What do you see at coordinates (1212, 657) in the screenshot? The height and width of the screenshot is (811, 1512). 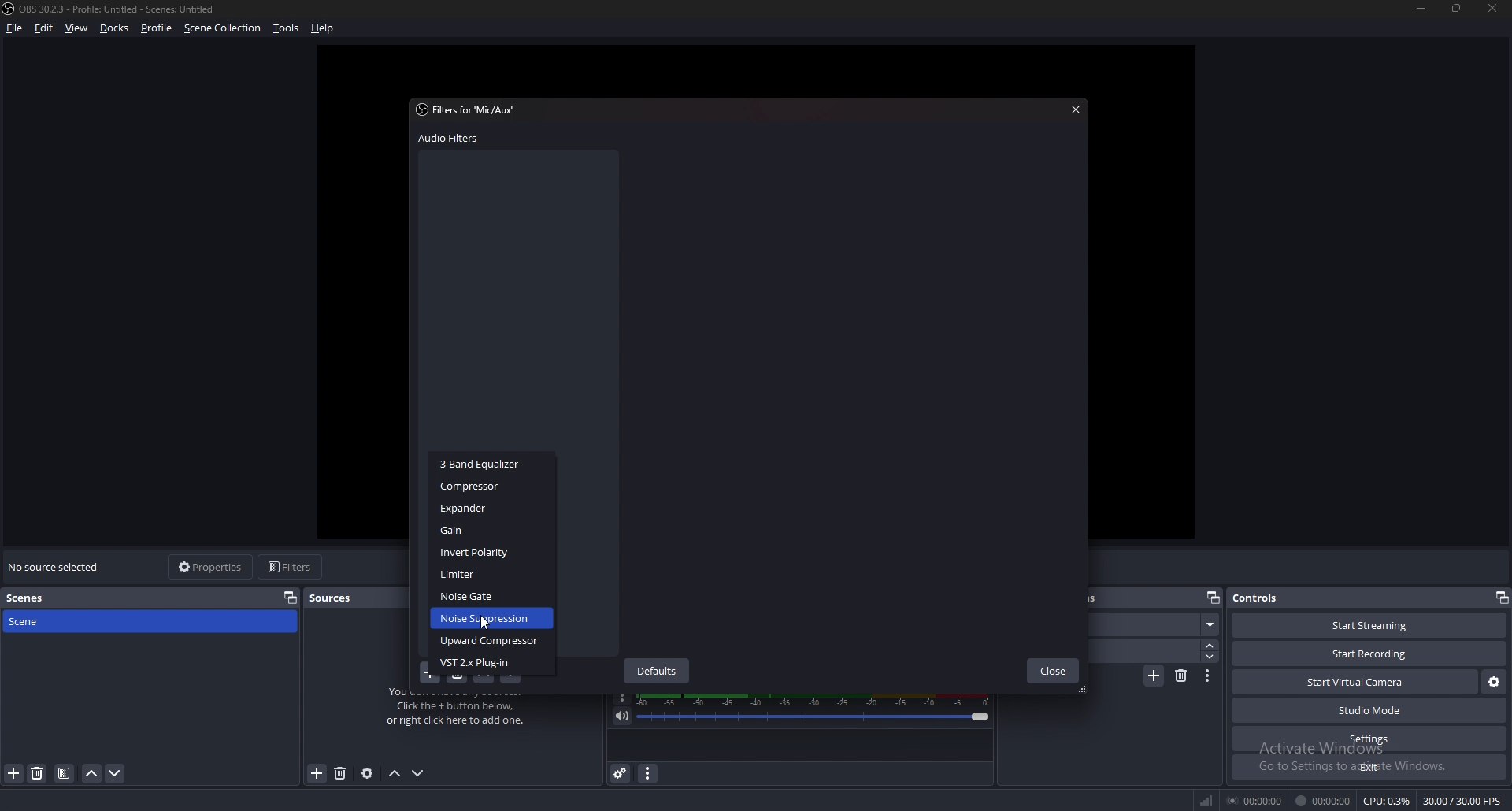 I see `decrease duration` at bounding box center [1212, 657].